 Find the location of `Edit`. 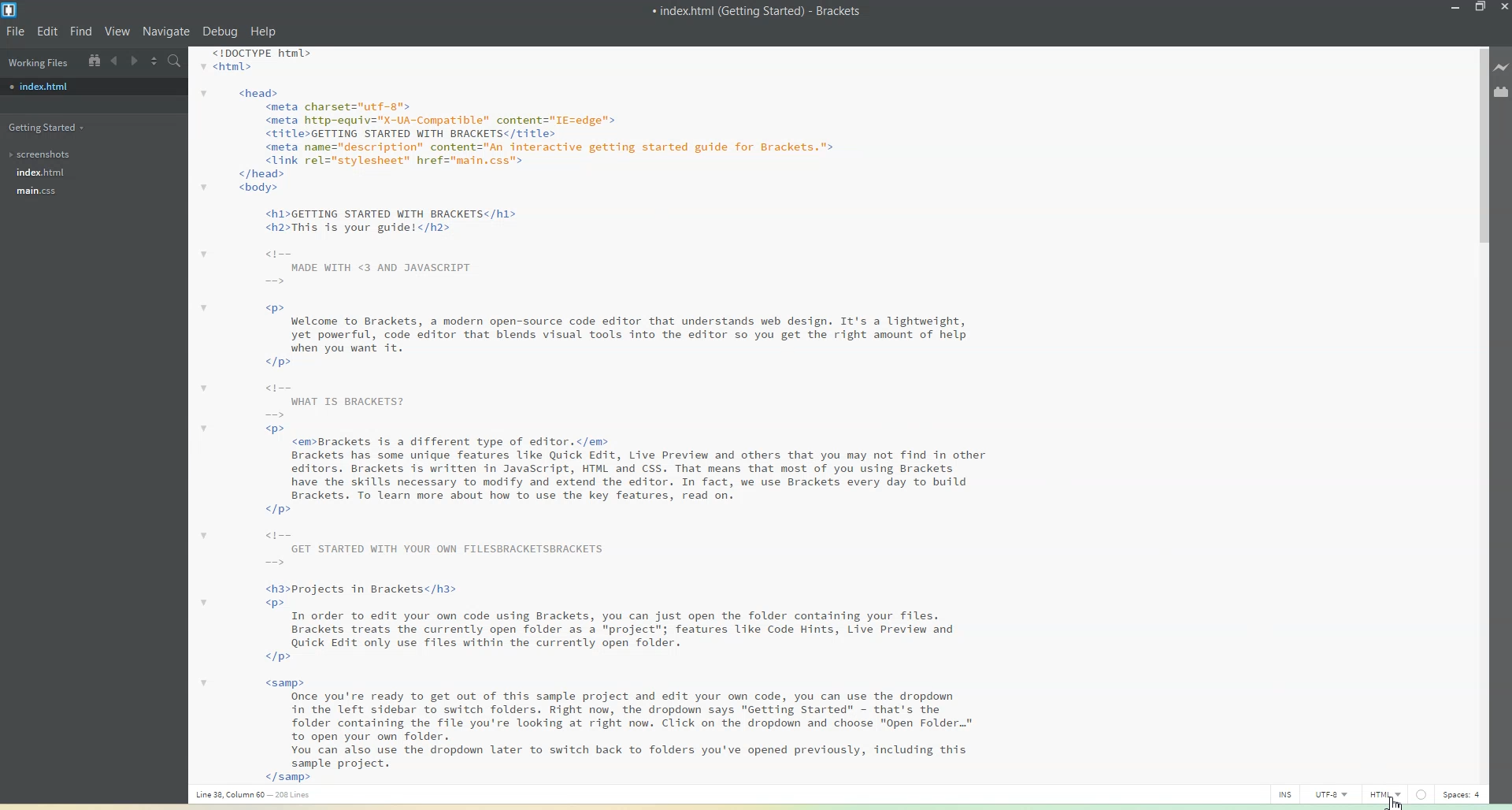

Edit is located at coordinates (48, 31).